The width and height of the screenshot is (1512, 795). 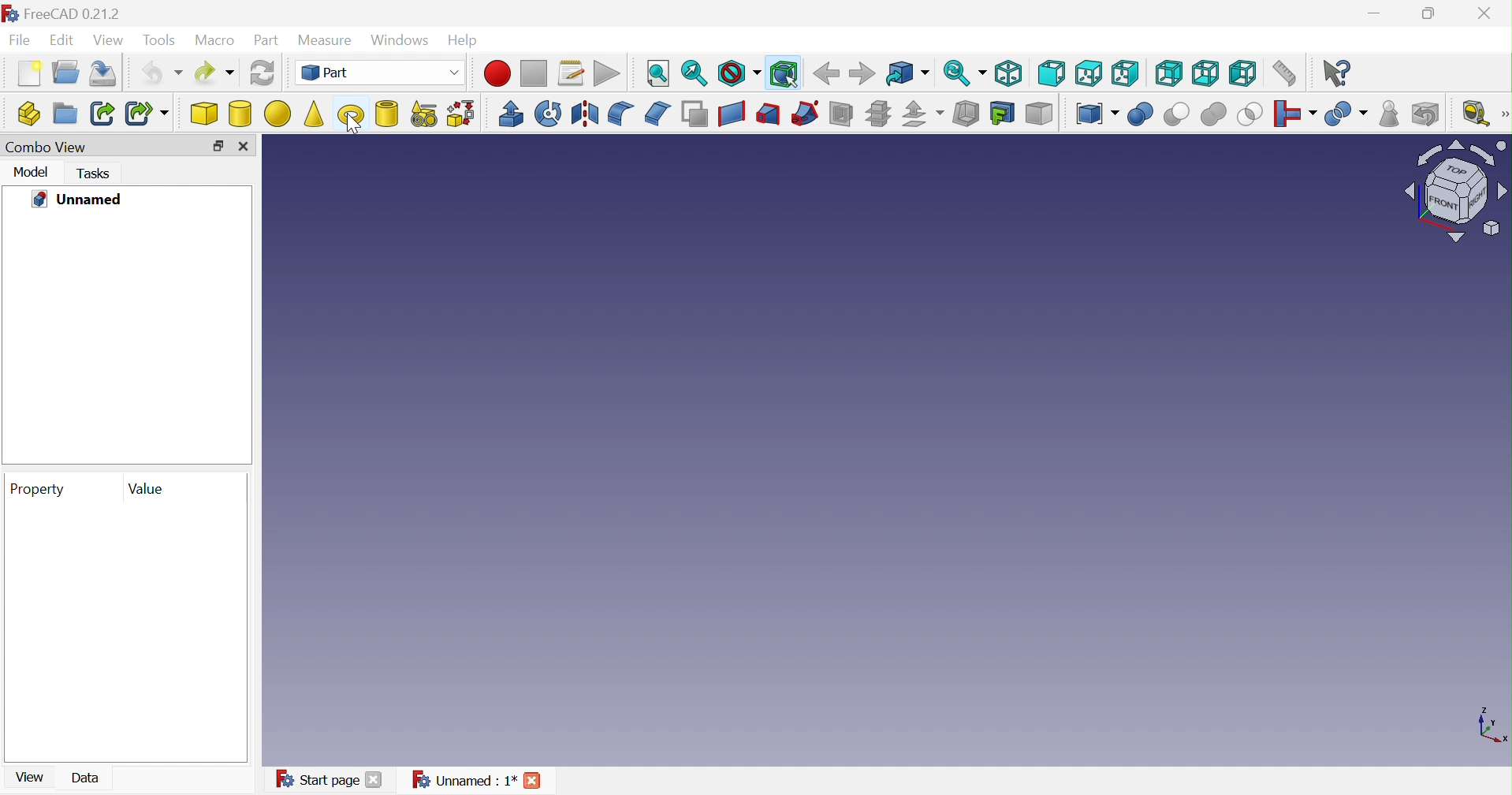 I want to click on Forward, so click(x=861, y=73).